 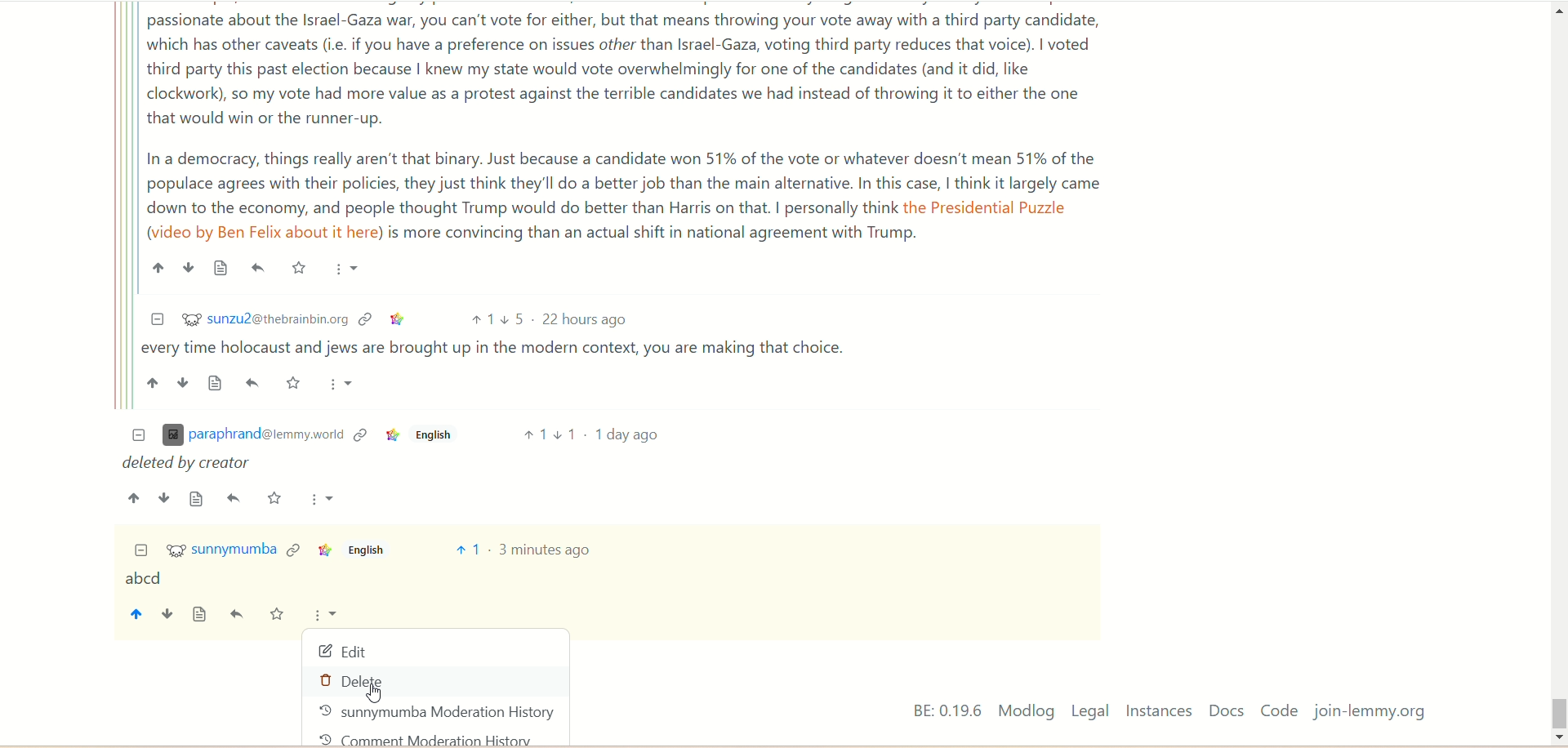 What do you see at coordinates (341, 385) in the screenshot?
I see `More` at bounding box center [341, 385].